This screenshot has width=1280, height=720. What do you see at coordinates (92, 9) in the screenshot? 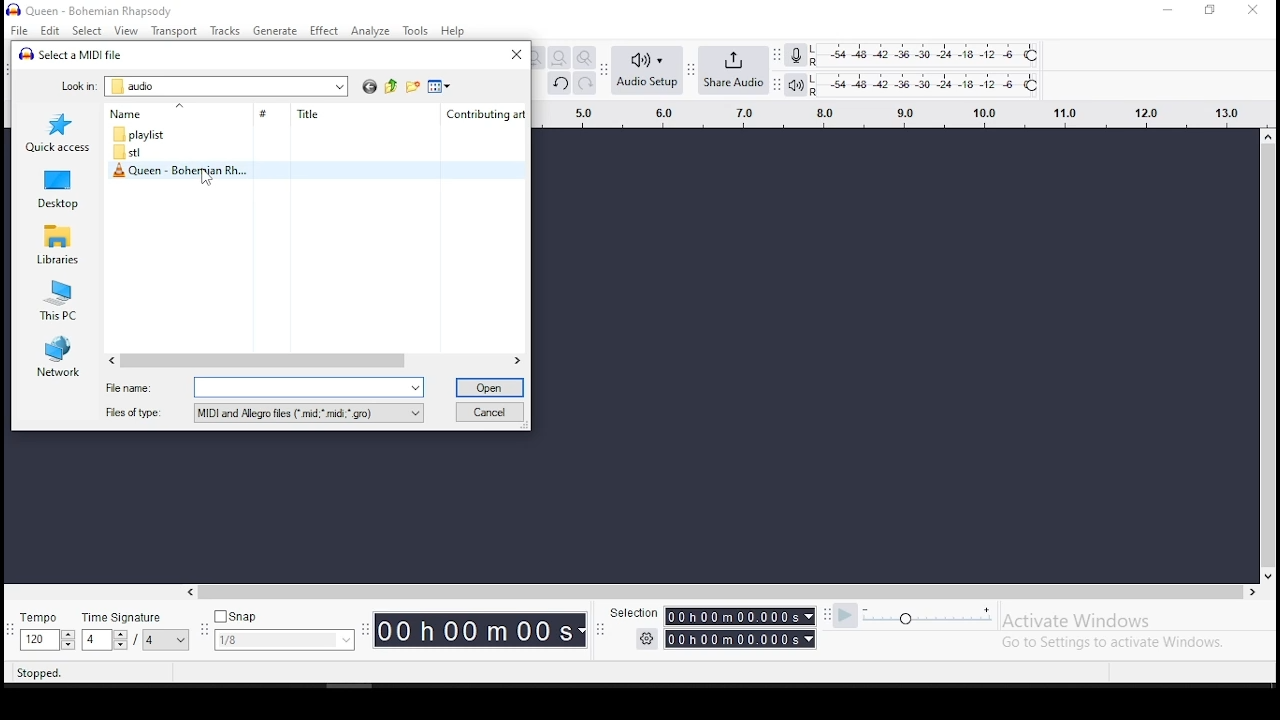
I see `icon` at bounding box center [92, 9].